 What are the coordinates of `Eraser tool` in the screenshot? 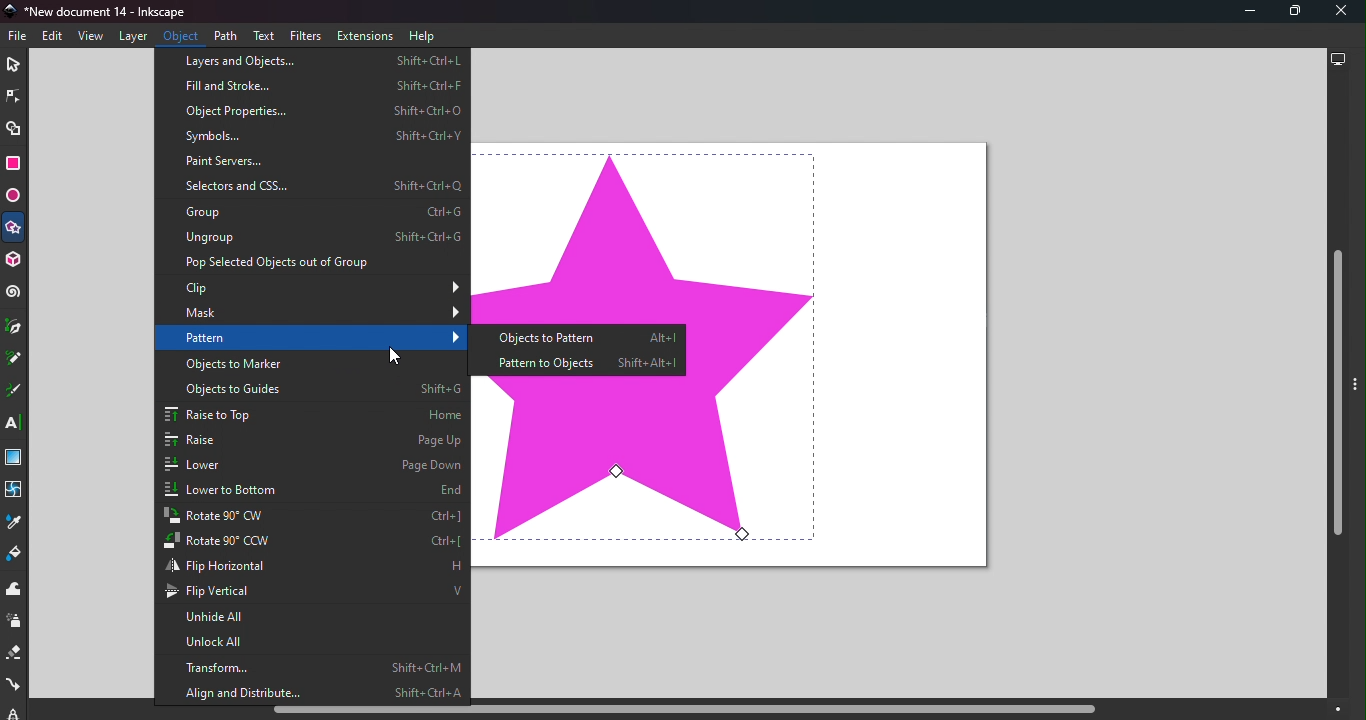 It's located at (13, 657).